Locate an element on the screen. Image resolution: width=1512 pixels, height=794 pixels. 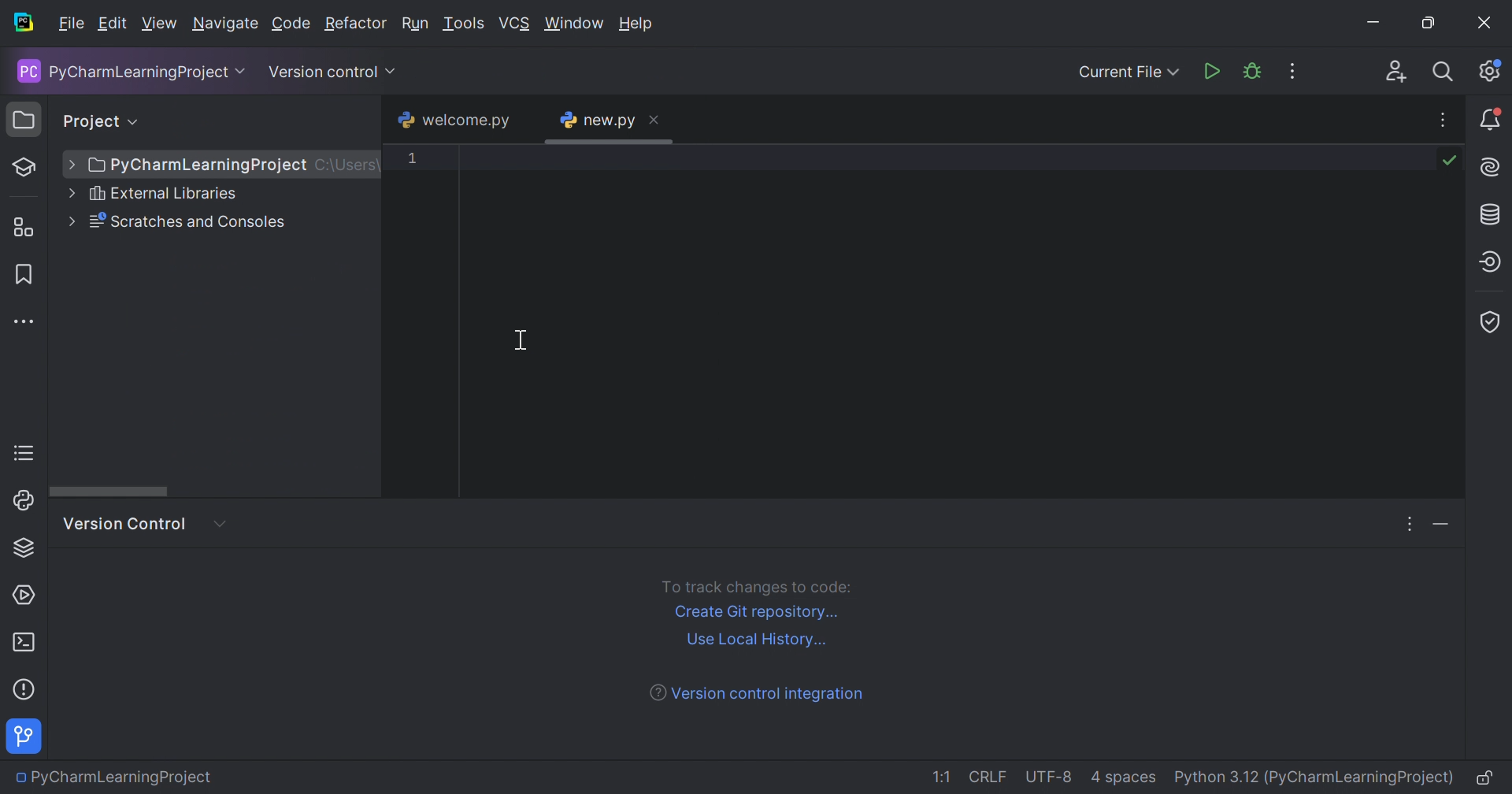
C:/Users is located at coordinates (349, 165).